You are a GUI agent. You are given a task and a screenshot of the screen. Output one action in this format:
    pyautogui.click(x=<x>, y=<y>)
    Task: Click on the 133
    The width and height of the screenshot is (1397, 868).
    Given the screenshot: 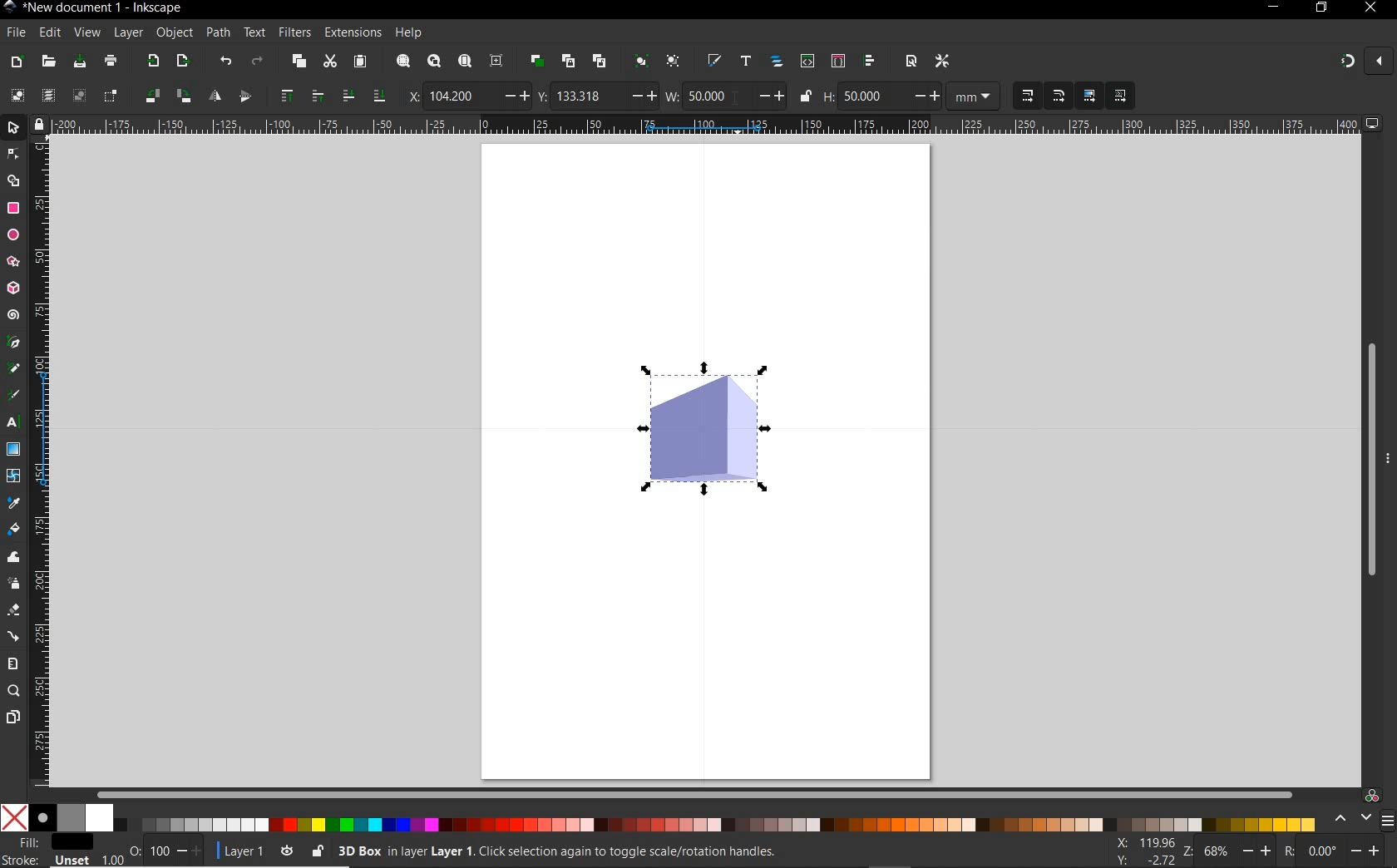 What is the action you would take?
    pyautogui.click(x=588, y=96)
    